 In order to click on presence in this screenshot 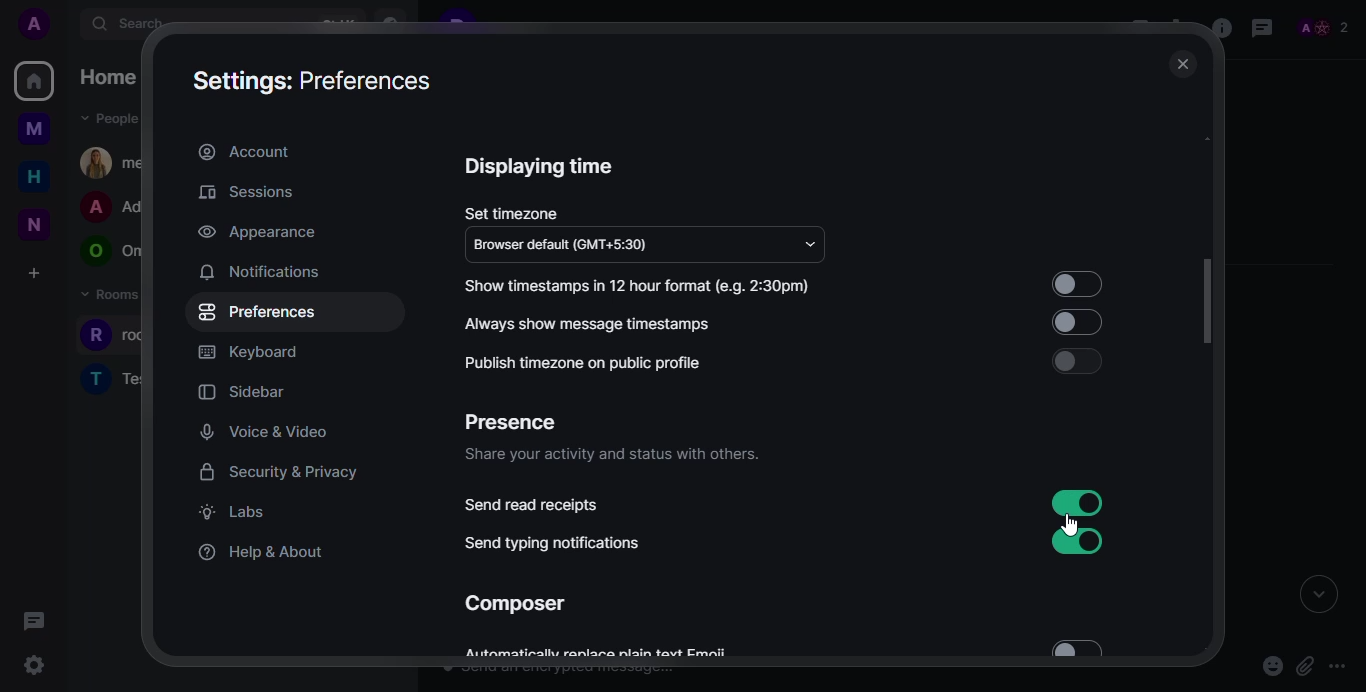, I will do `click(510, 422)`.